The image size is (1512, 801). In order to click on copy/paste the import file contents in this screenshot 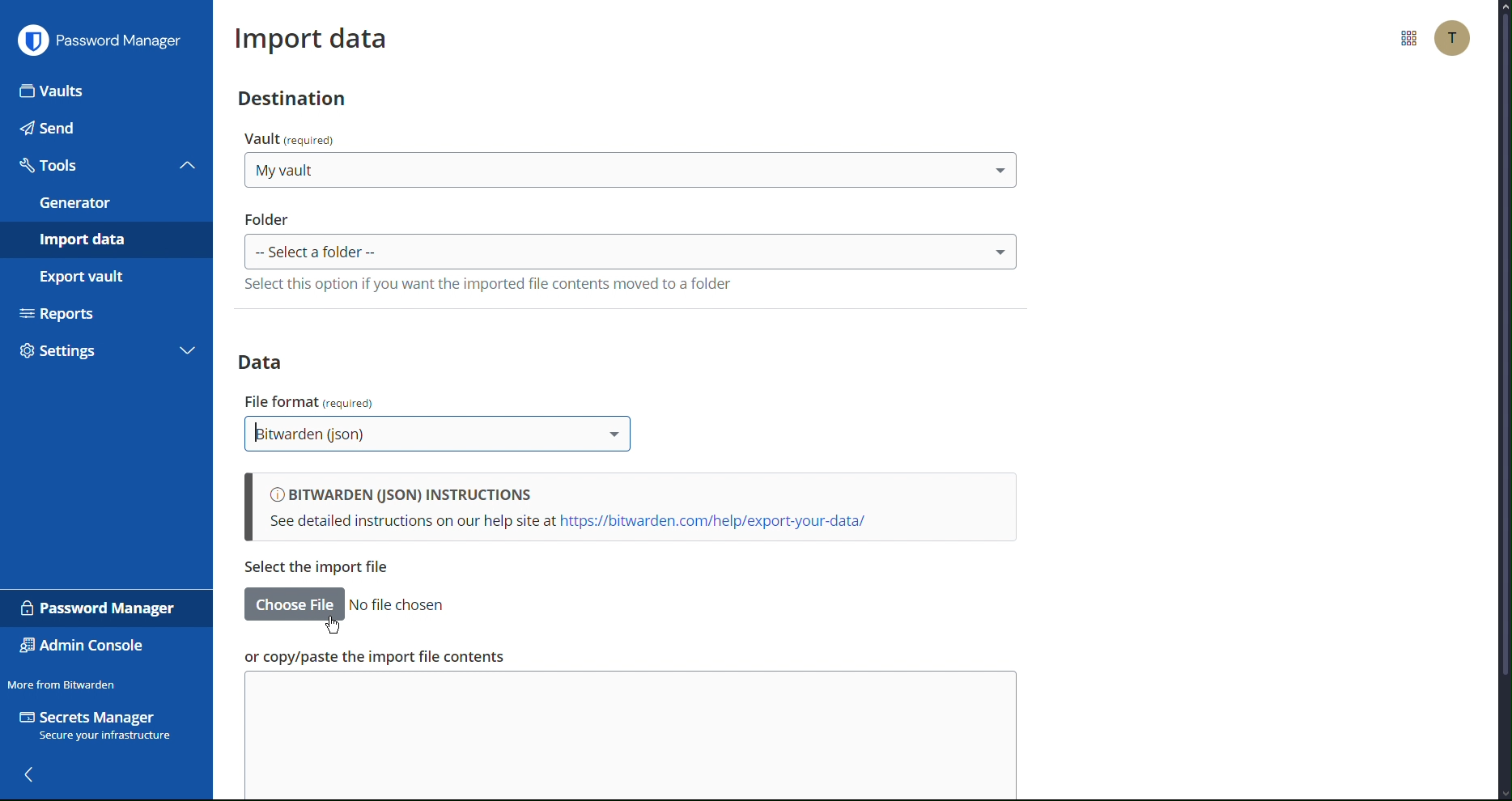, I will do `click(628, 736)`.